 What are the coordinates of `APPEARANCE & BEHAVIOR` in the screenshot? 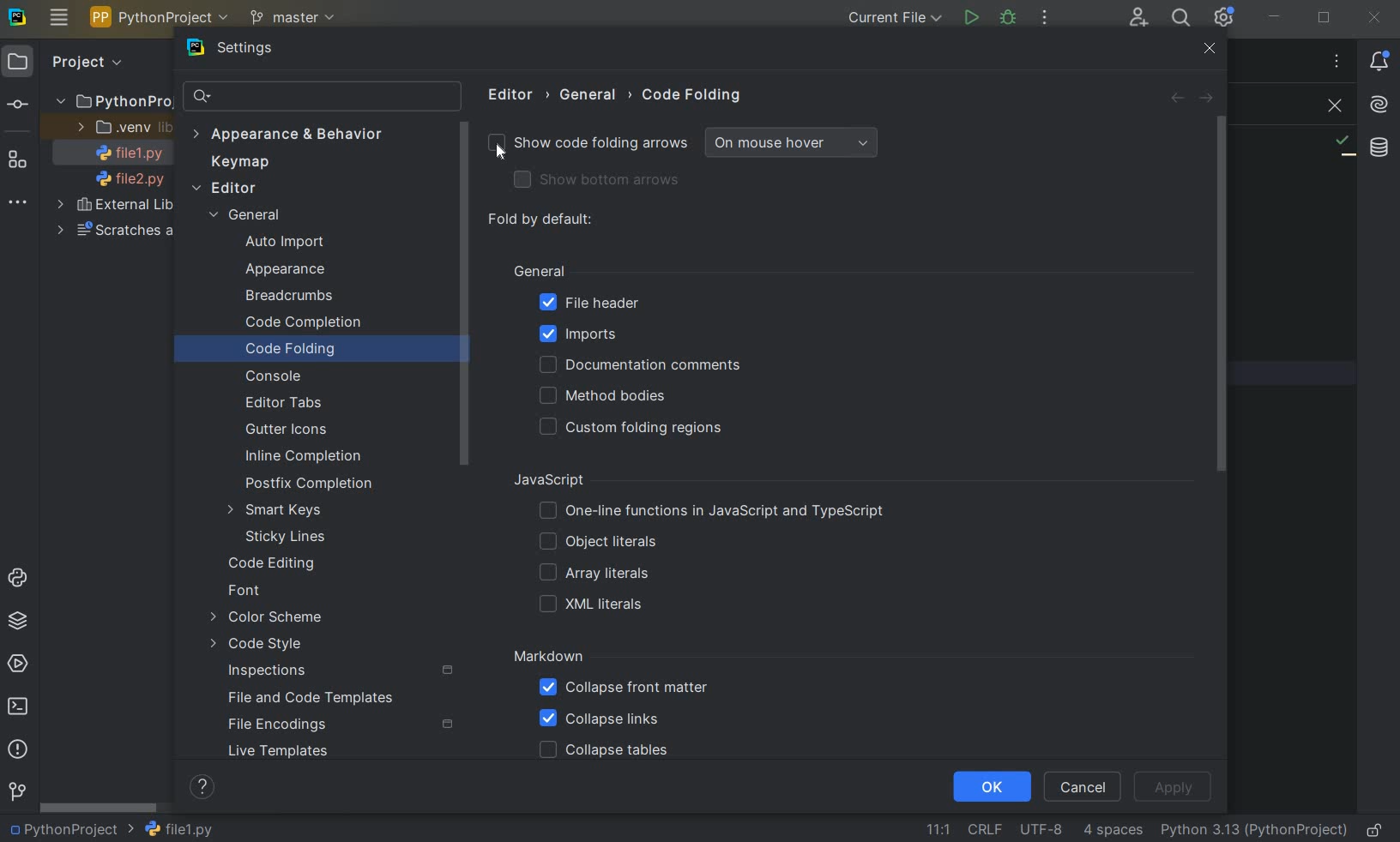 It's located at (287, 134).